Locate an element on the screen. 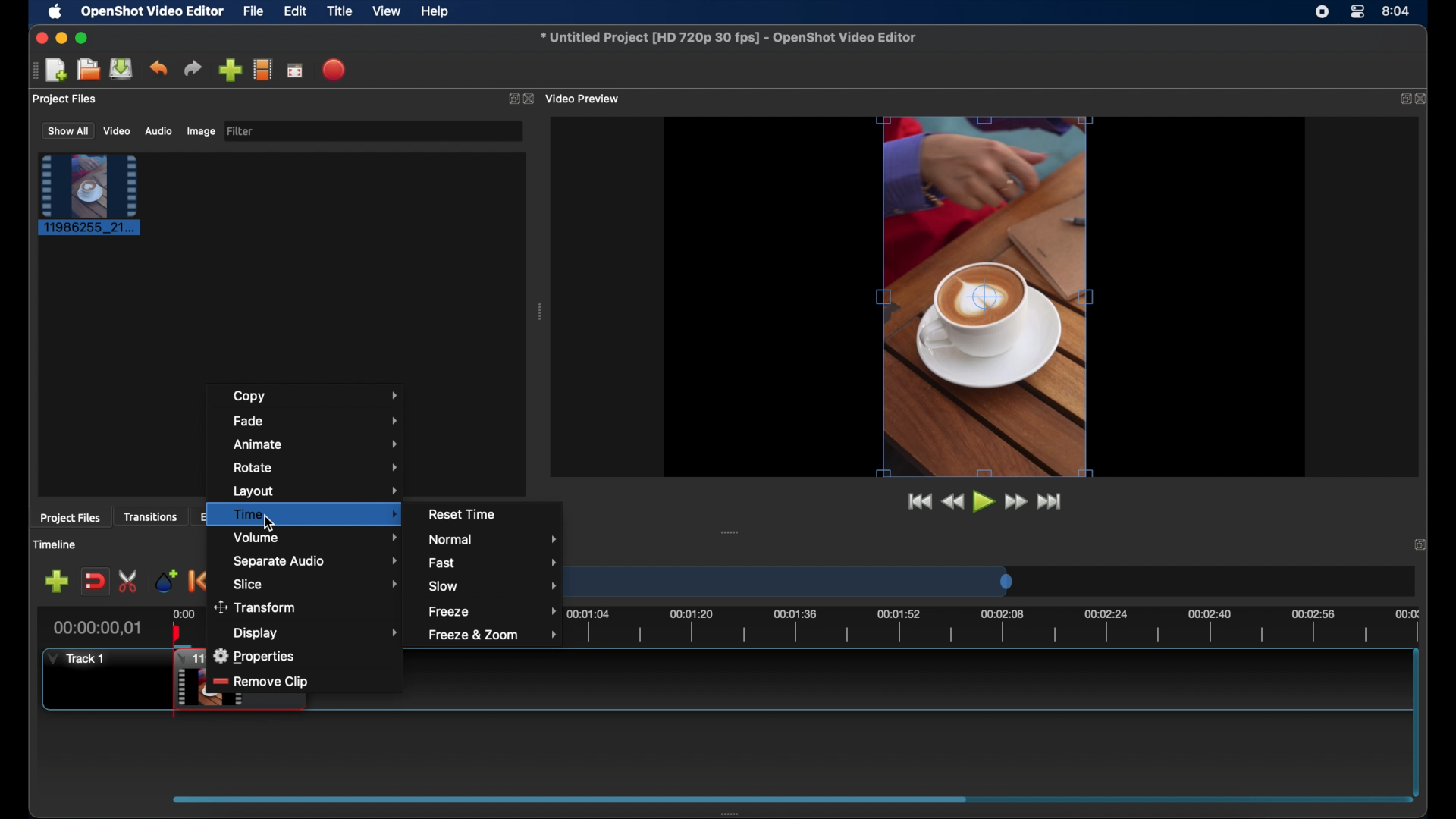  project files is located at coordinates (66, 99).